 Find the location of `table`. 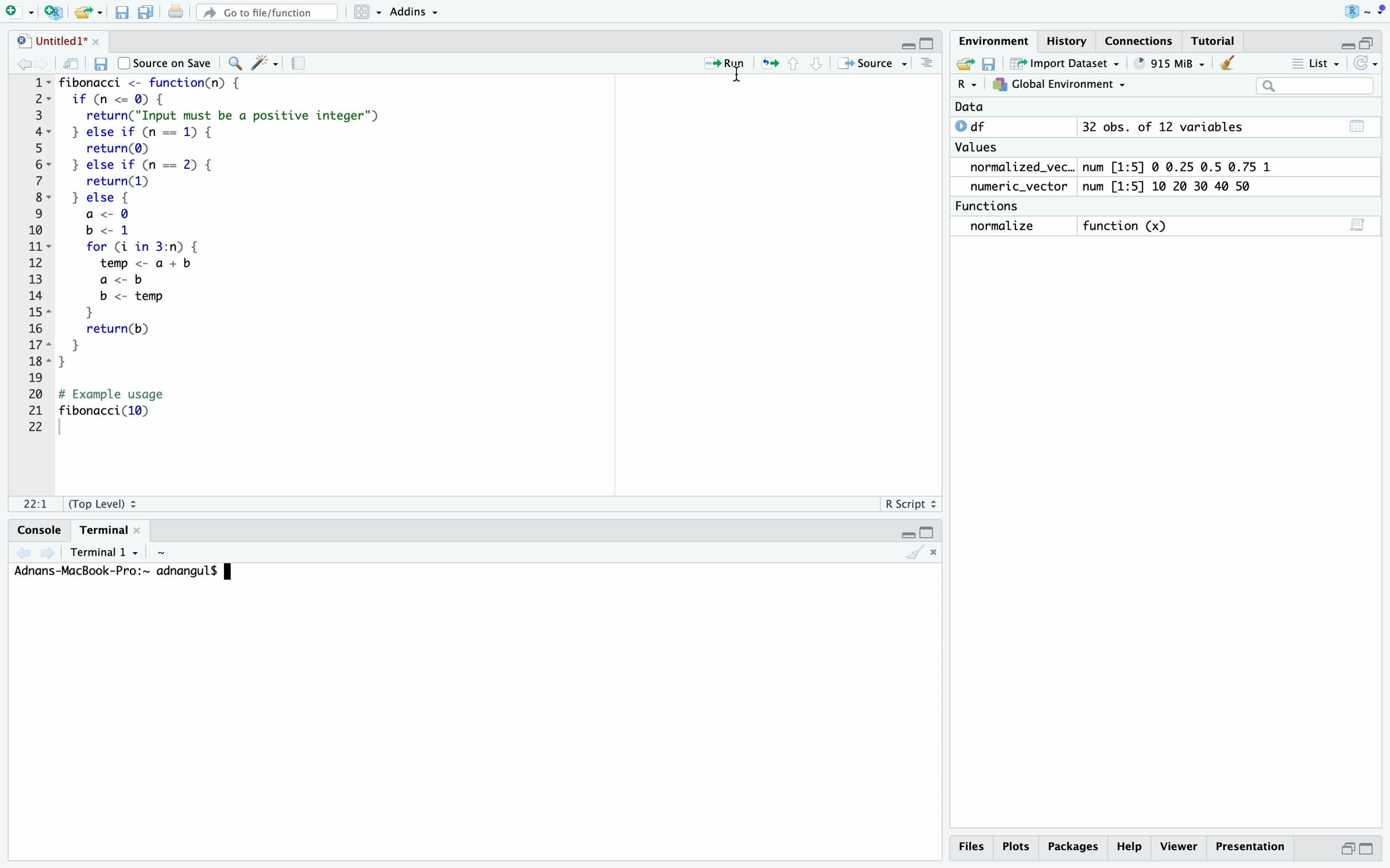

table is located at coordinates (1360, 125).